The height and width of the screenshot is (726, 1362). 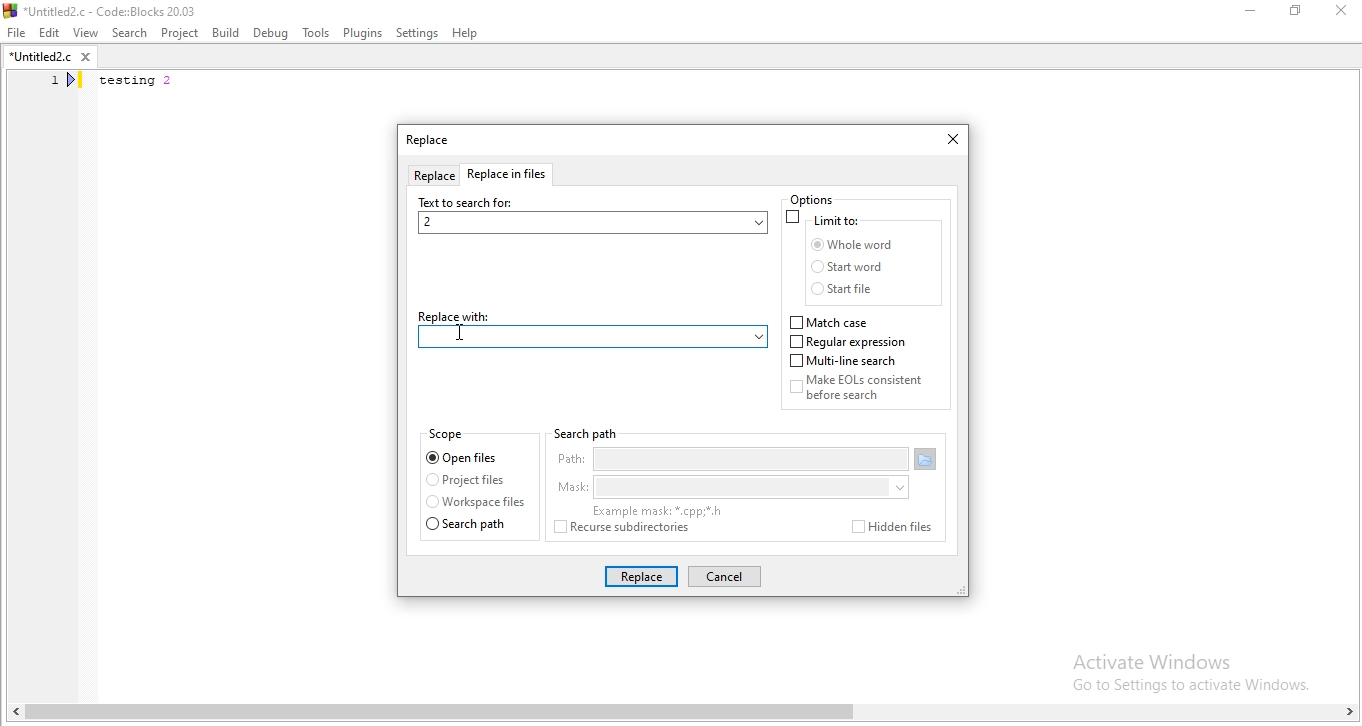 I want to click on mask, so click(x=729, y=488).